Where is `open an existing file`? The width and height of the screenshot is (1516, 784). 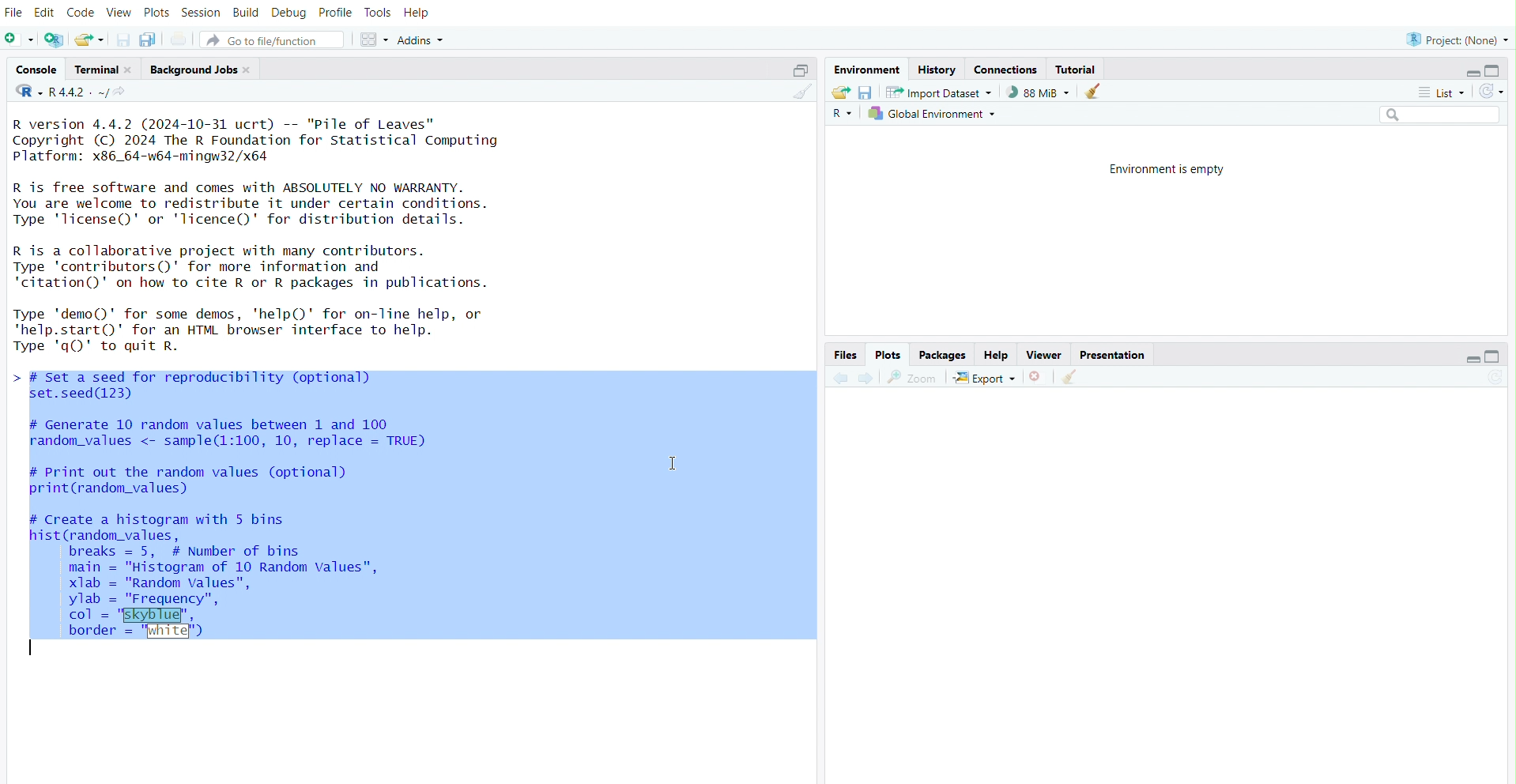
open an existing file is located at coordinates (88, 39).